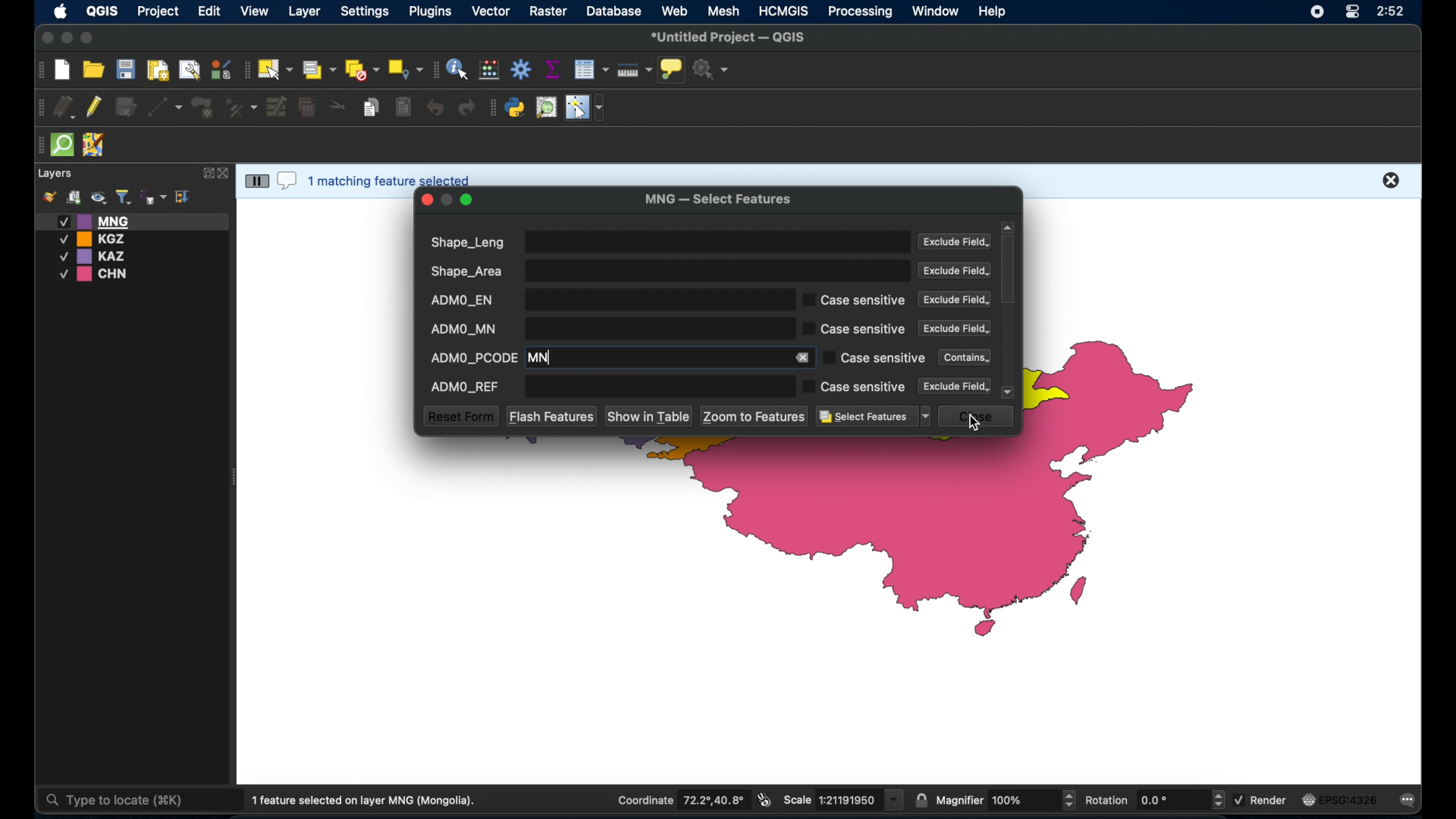 The image size is (1456, 819). What do you see at coordinates (242, 106) in the screenshot?
I see `vertex tool` at bounding box center [242, 106].